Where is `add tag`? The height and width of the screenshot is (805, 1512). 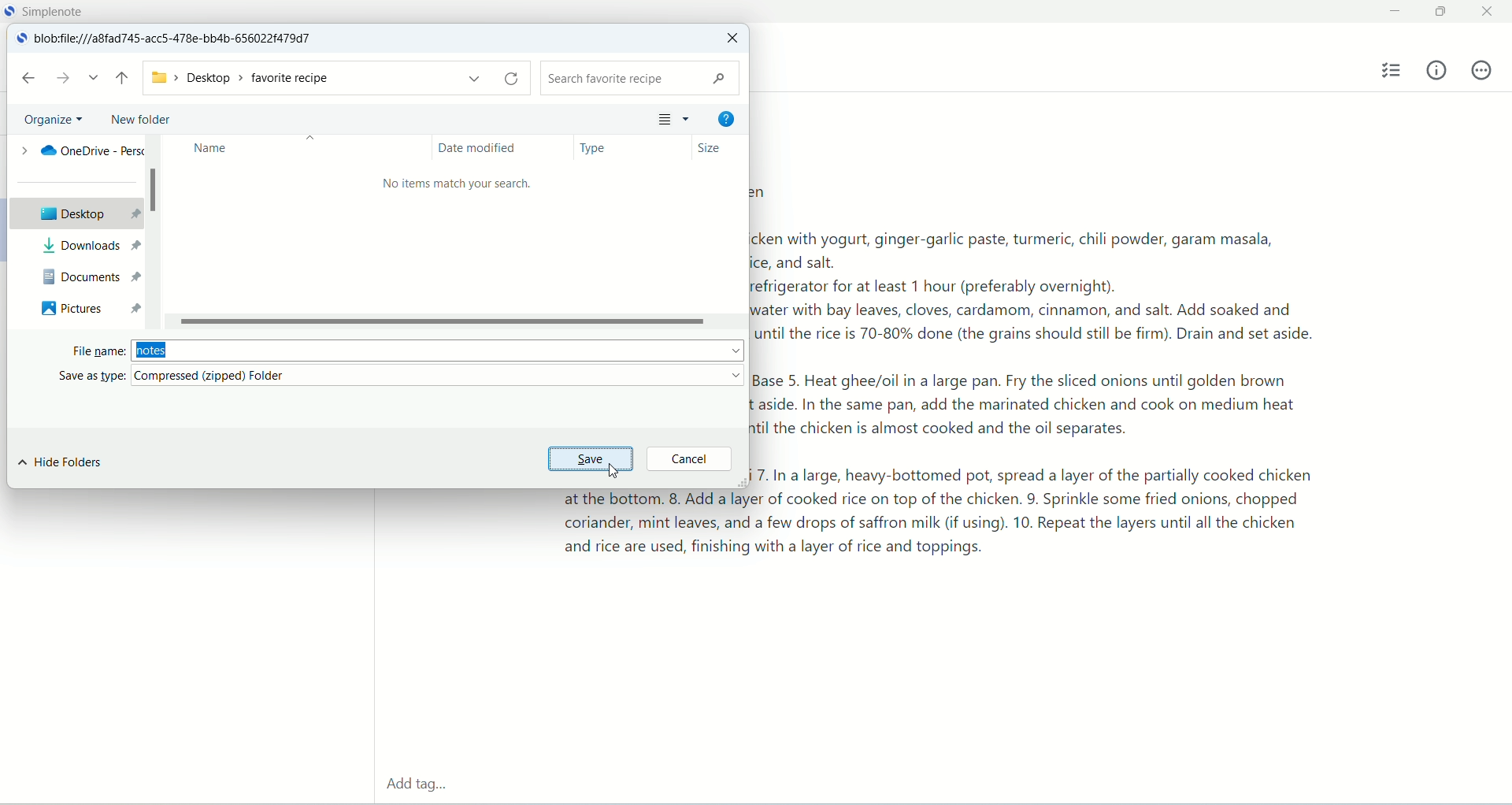 add tag is located at coordinates (413, 786).